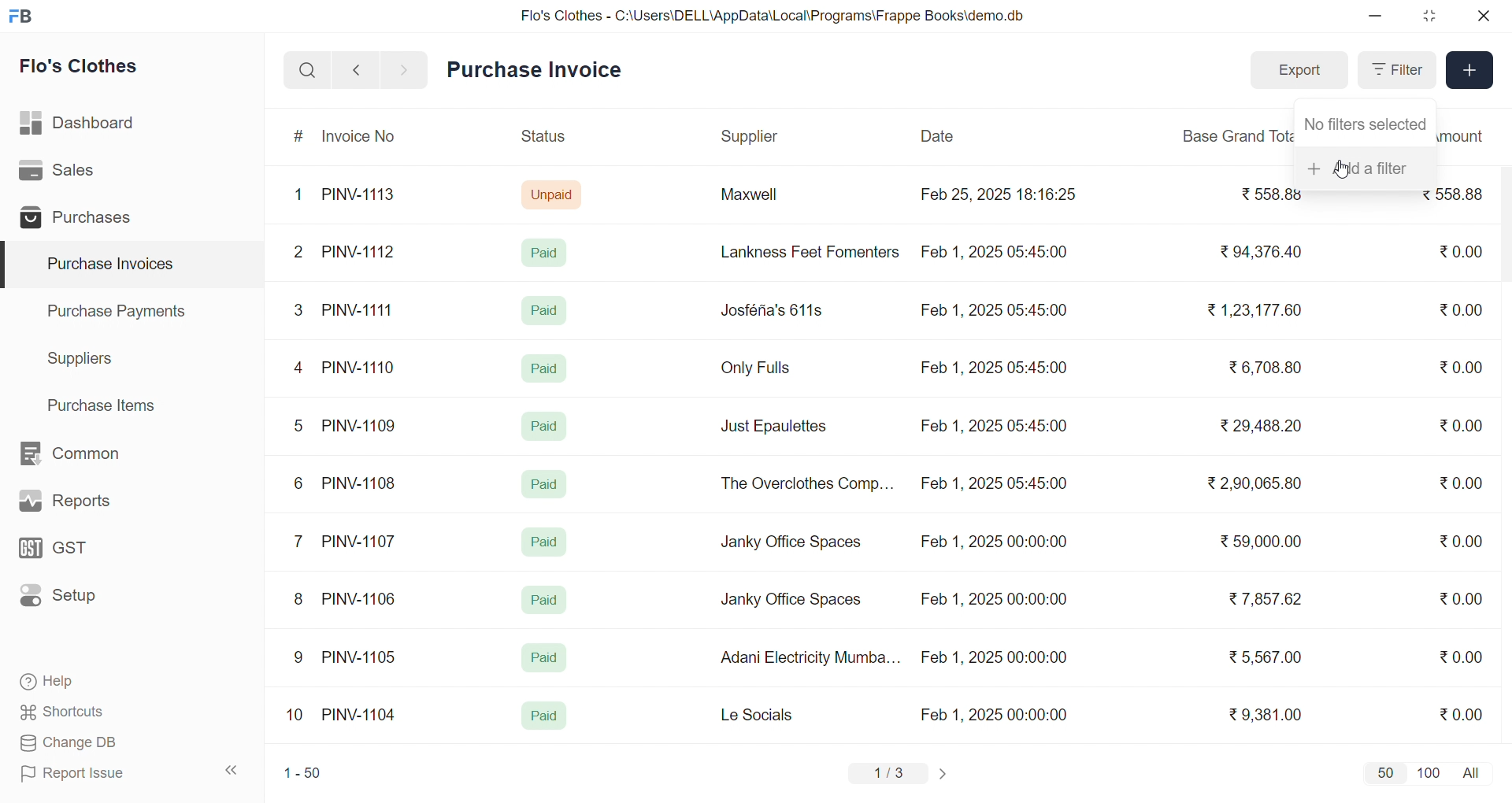 This screenshot has width=1512, height=803. What do you see at coordinates (83, 505) in the screenshot?
I see `Reports` at bounding box center [83, 505].